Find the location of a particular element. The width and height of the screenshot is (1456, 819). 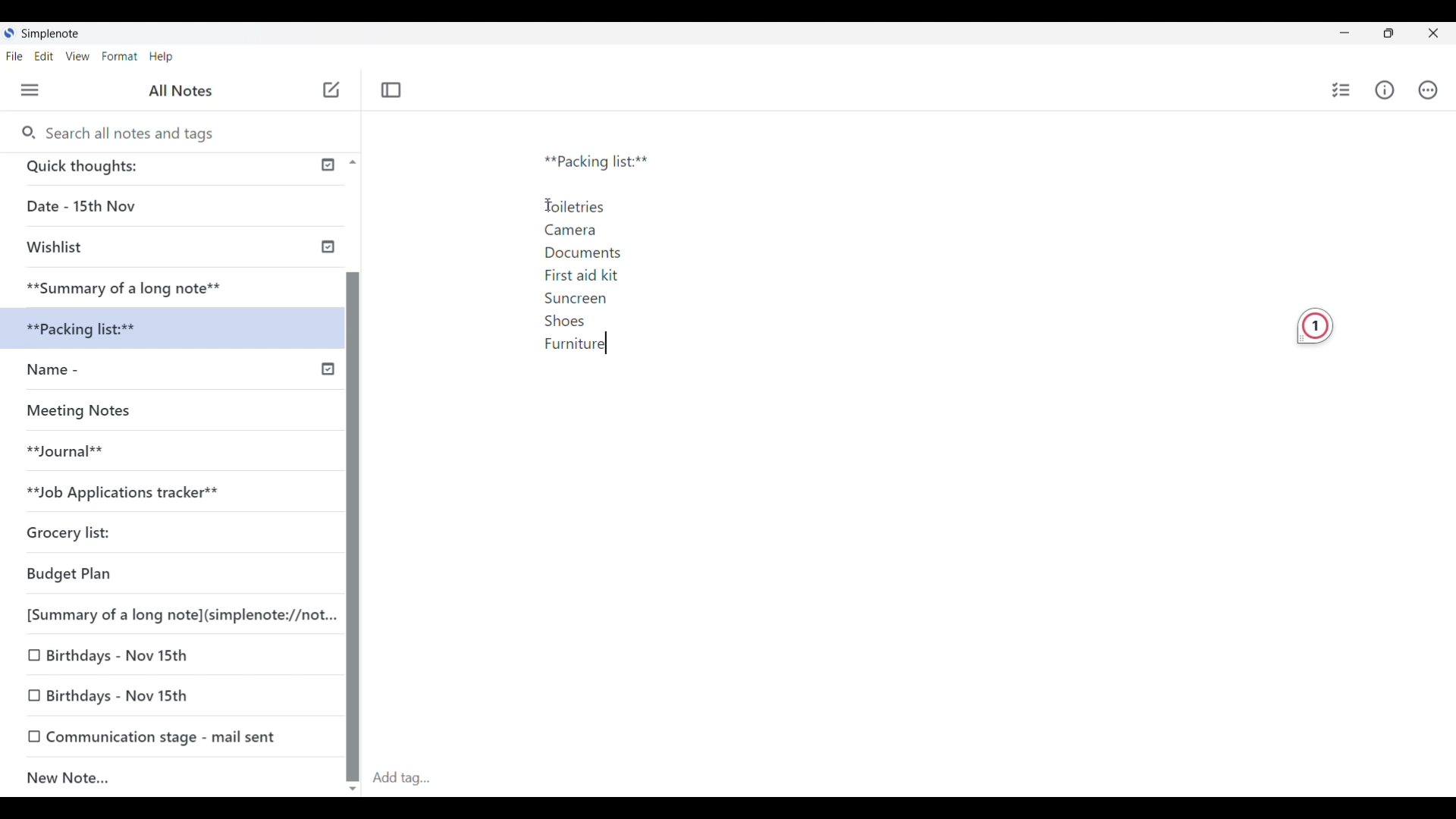

Check icon indicating published notes is located at coordinates (328, 267).